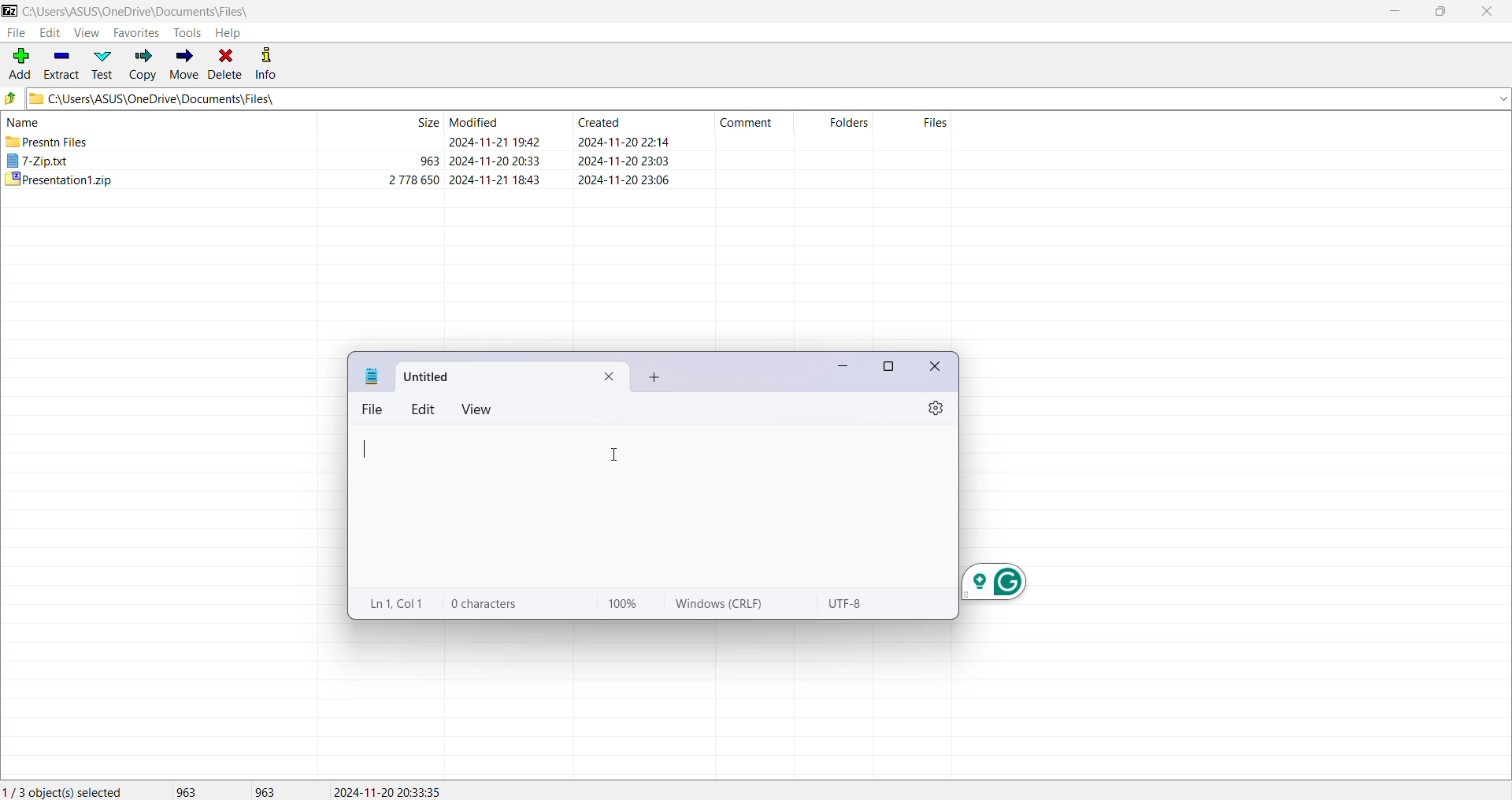 The height and width of the screenshot is (800, 1512). What do you see at coordinates (187, 33) in the screenshot?
I see `Tools` at bounding box center [187, 33].